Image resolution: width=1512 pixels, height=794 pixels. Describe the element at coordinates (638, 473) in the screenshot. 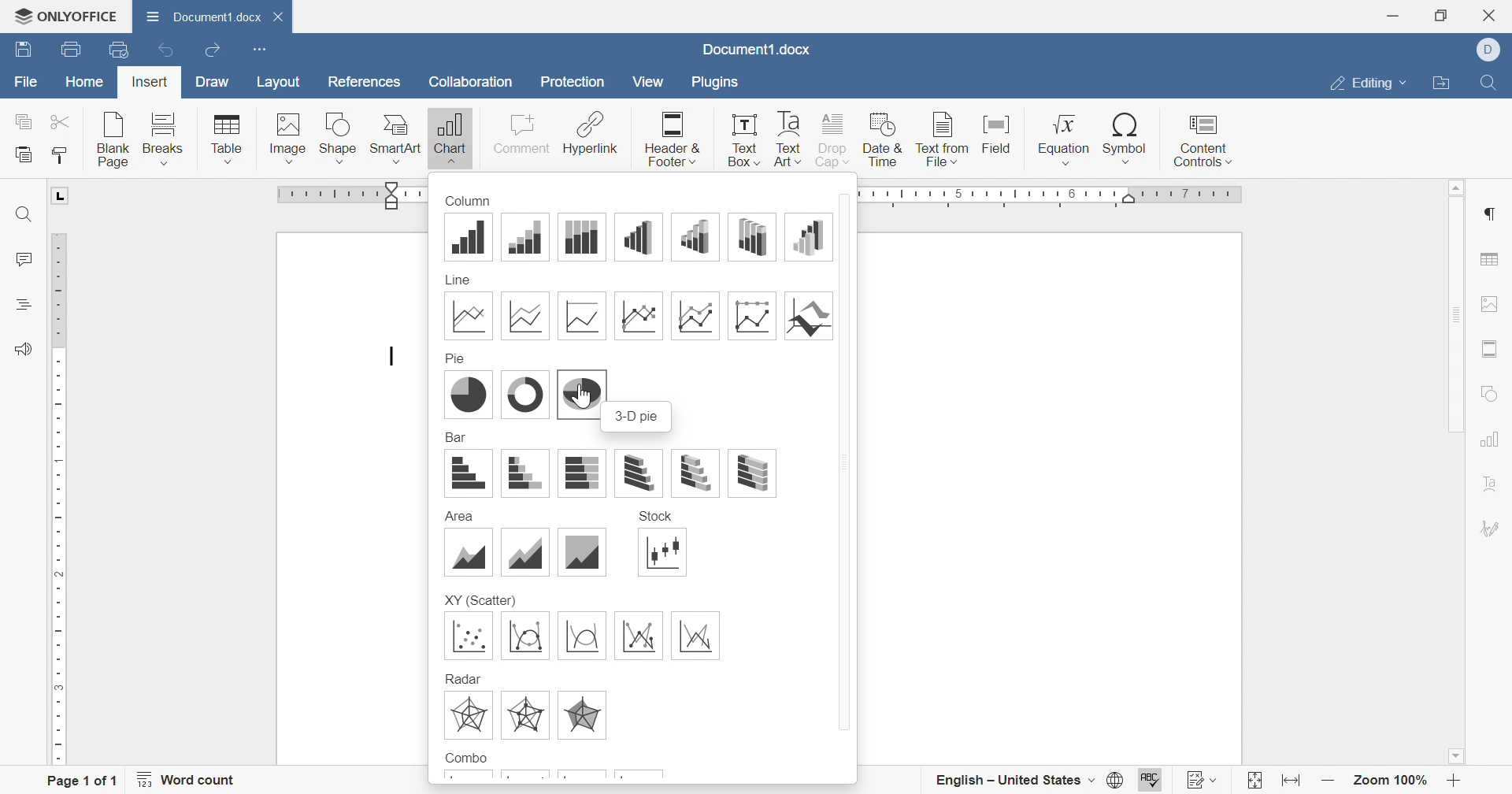

I see `3D Clustered bar` at that location.